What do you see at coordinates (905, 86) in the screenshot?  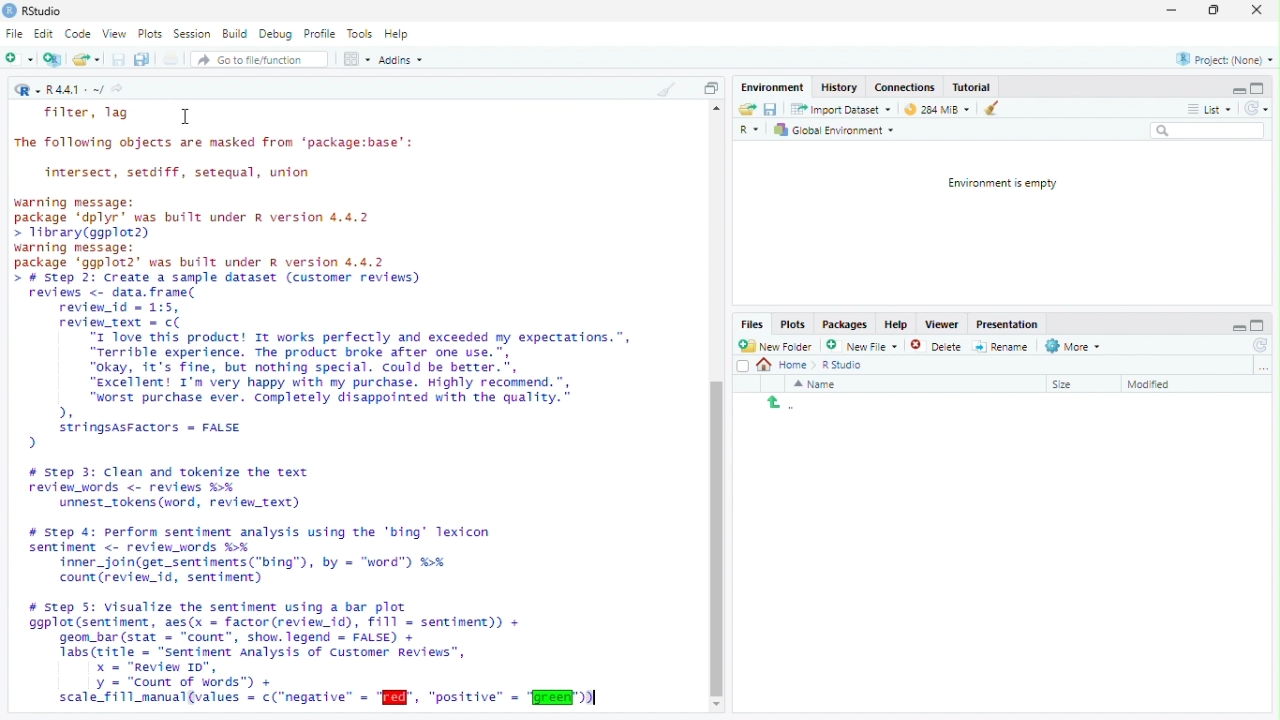 I see `Connections` at bounding box center [905, 86].